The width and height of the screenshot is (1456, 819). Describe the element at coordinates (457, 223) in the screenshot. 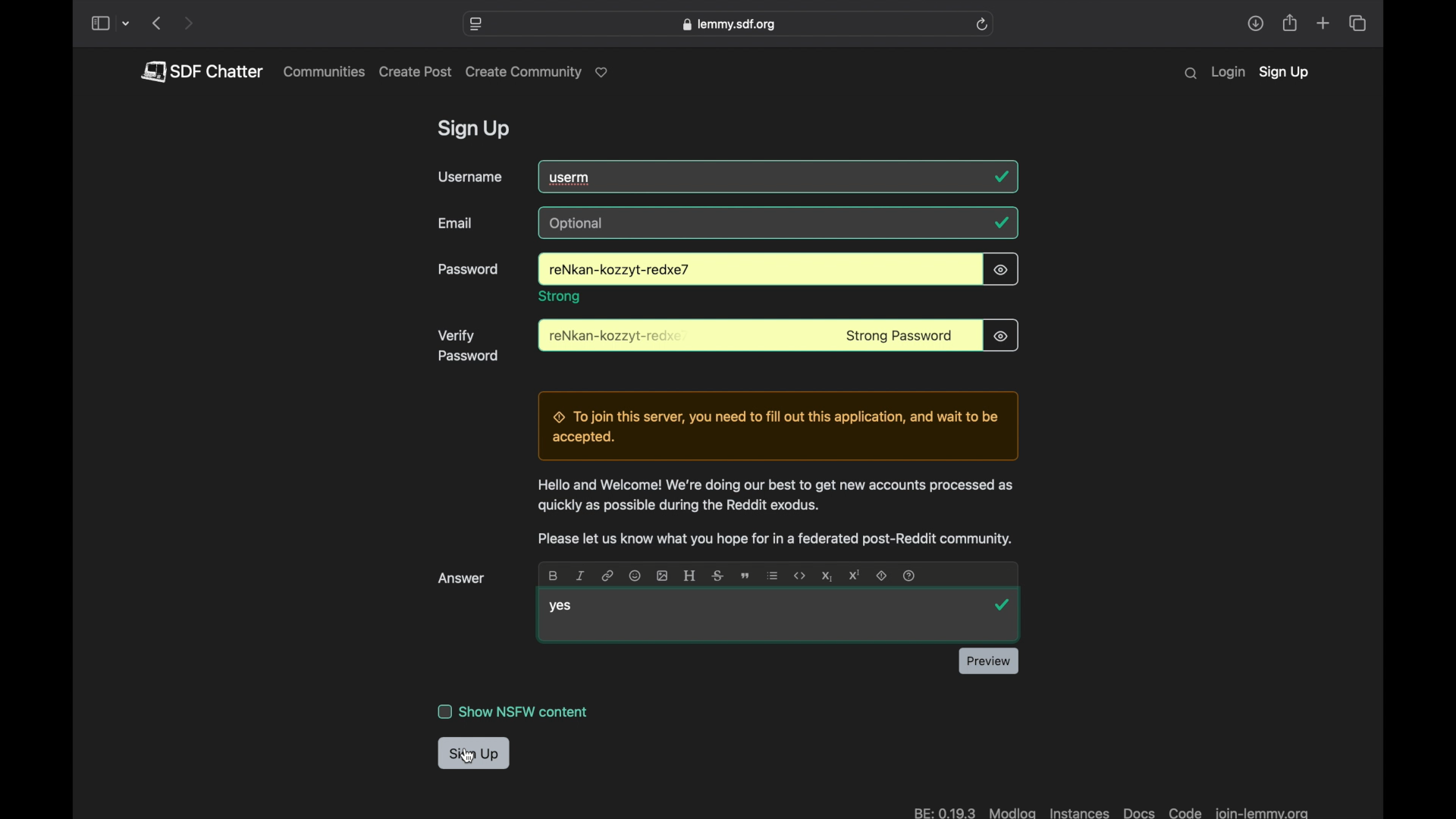

I see `email` at that location.